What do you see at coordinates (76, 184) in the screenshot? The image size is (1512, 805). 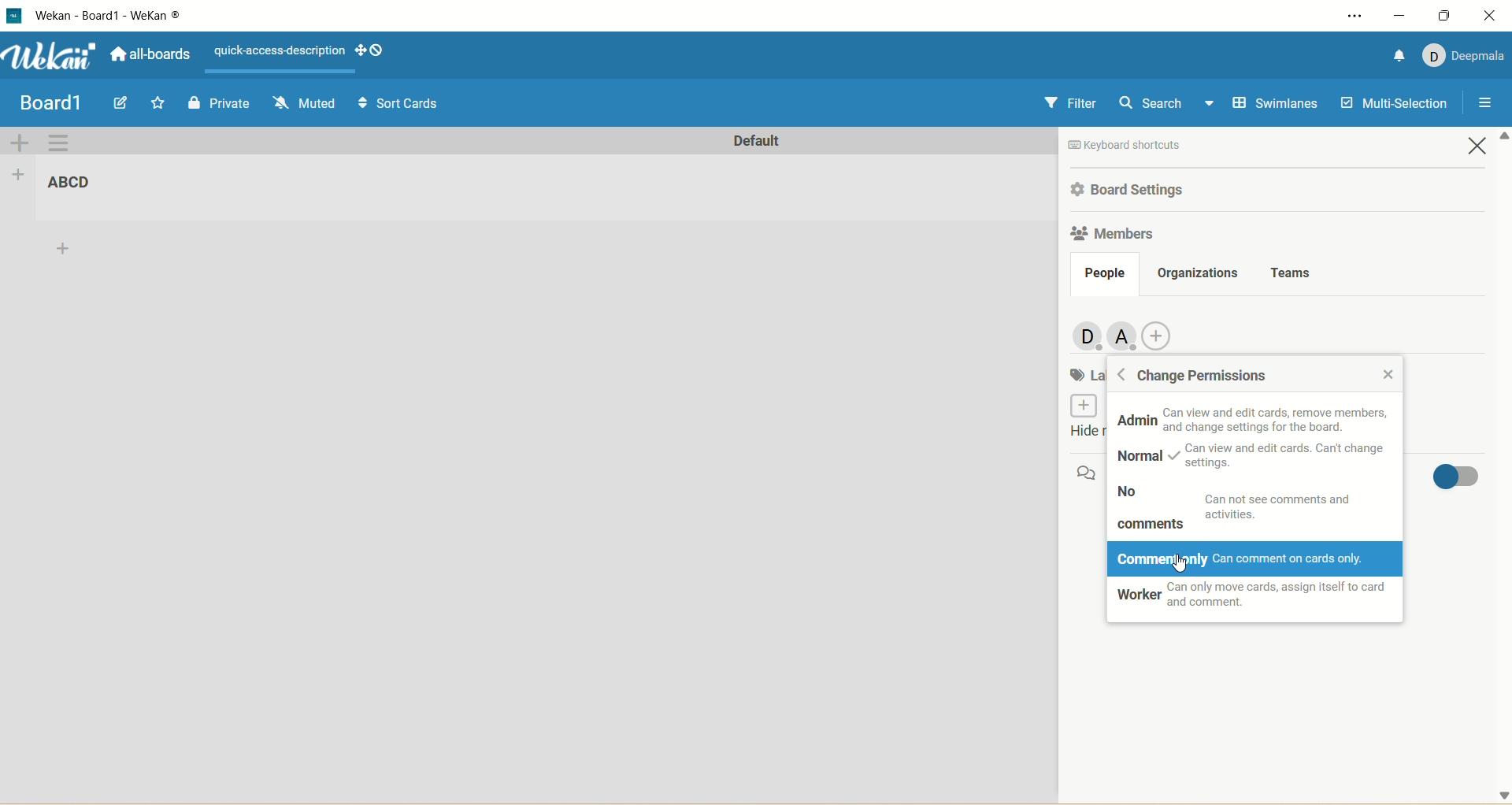 I see `title` at bounding box center [76, 184].